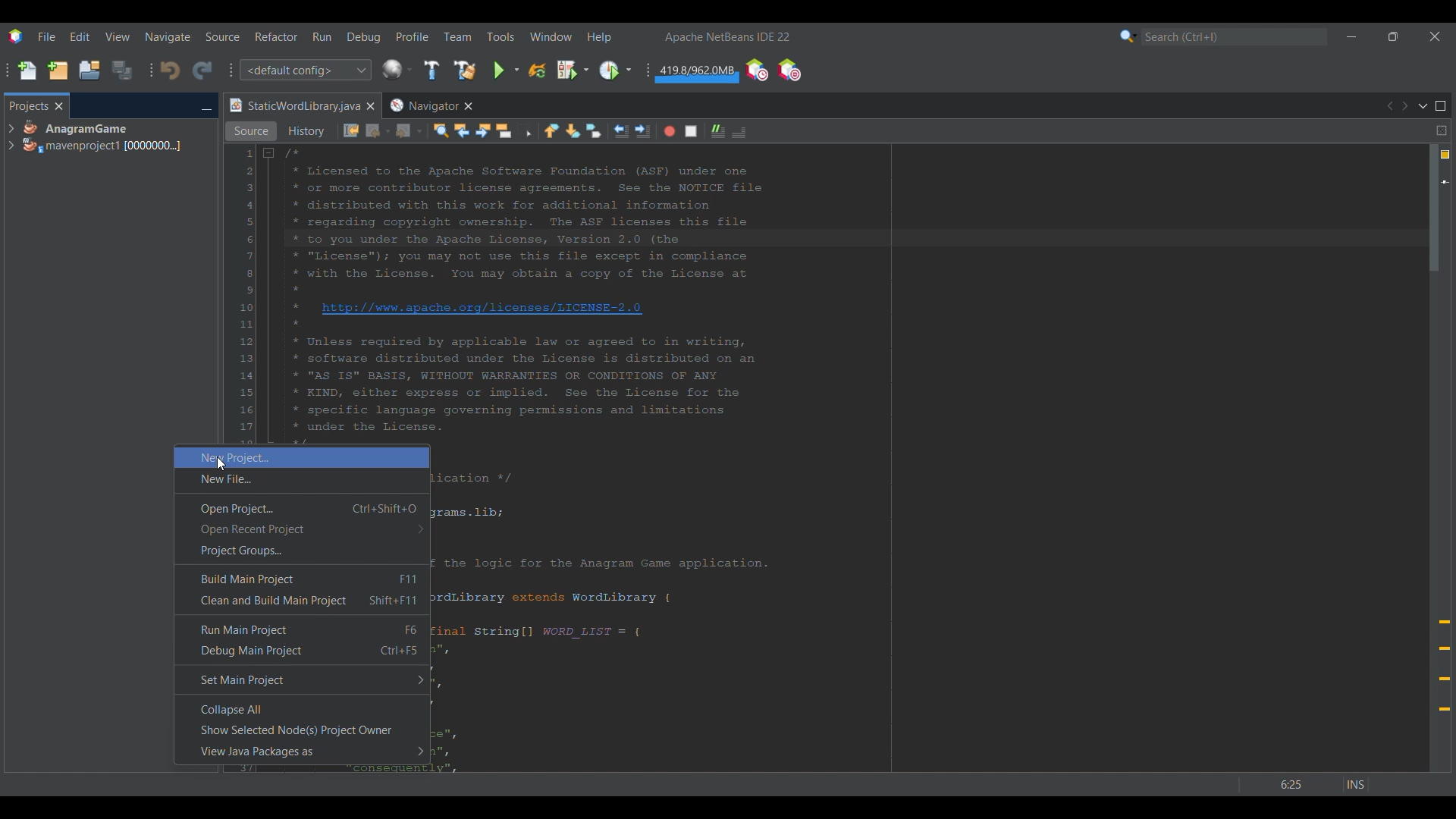 The width and height of the screenshot is (1456, 819). What do you see at coordinates (202, 70) in the screenshot?
I see `Redo` at bounding box center [202, 70].